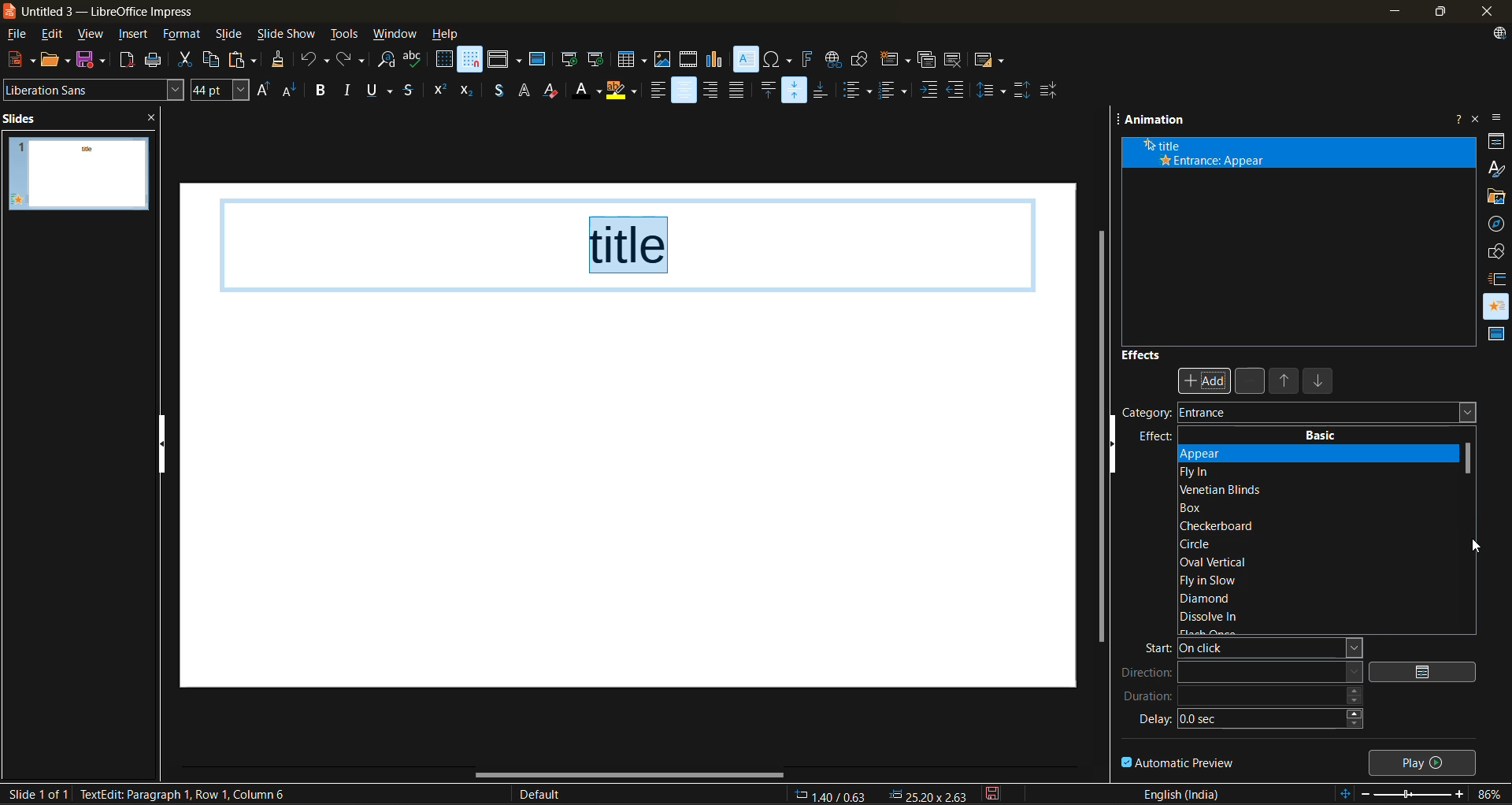 The height and width of the screenshot is (805, 1512). I want to click on copy, so click(216, 60).